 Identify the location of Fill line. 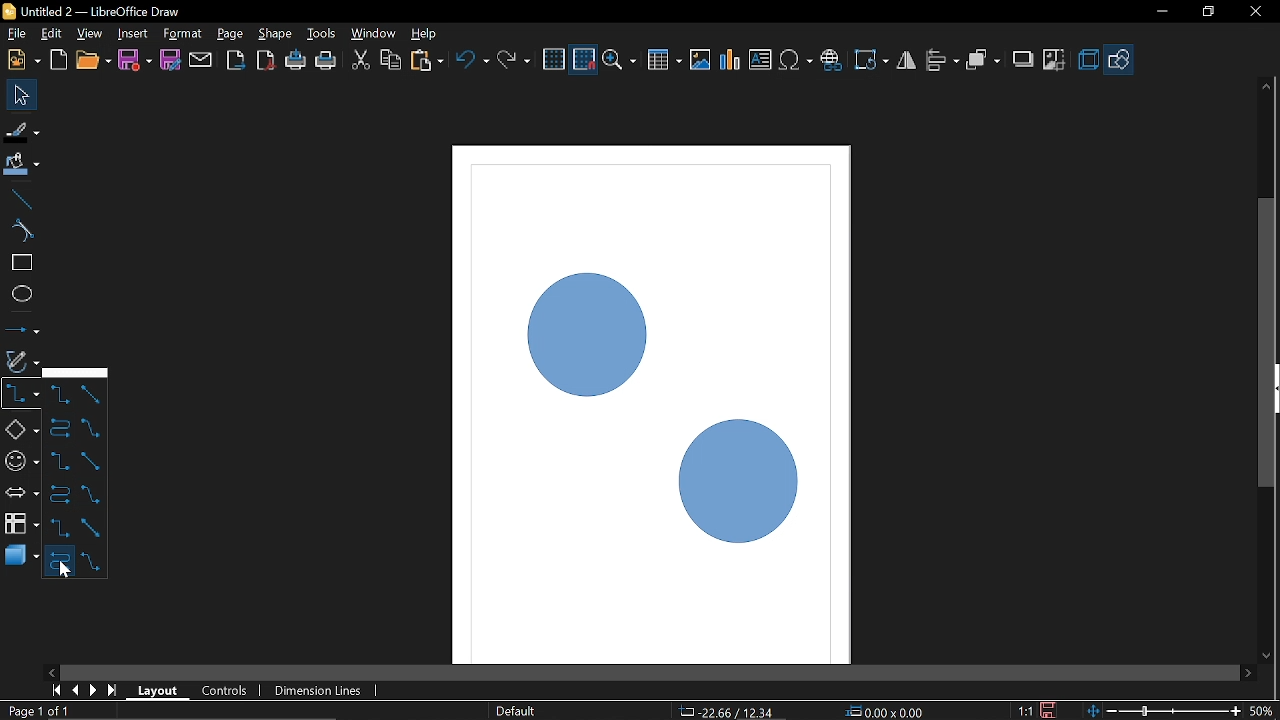
(23, 132).